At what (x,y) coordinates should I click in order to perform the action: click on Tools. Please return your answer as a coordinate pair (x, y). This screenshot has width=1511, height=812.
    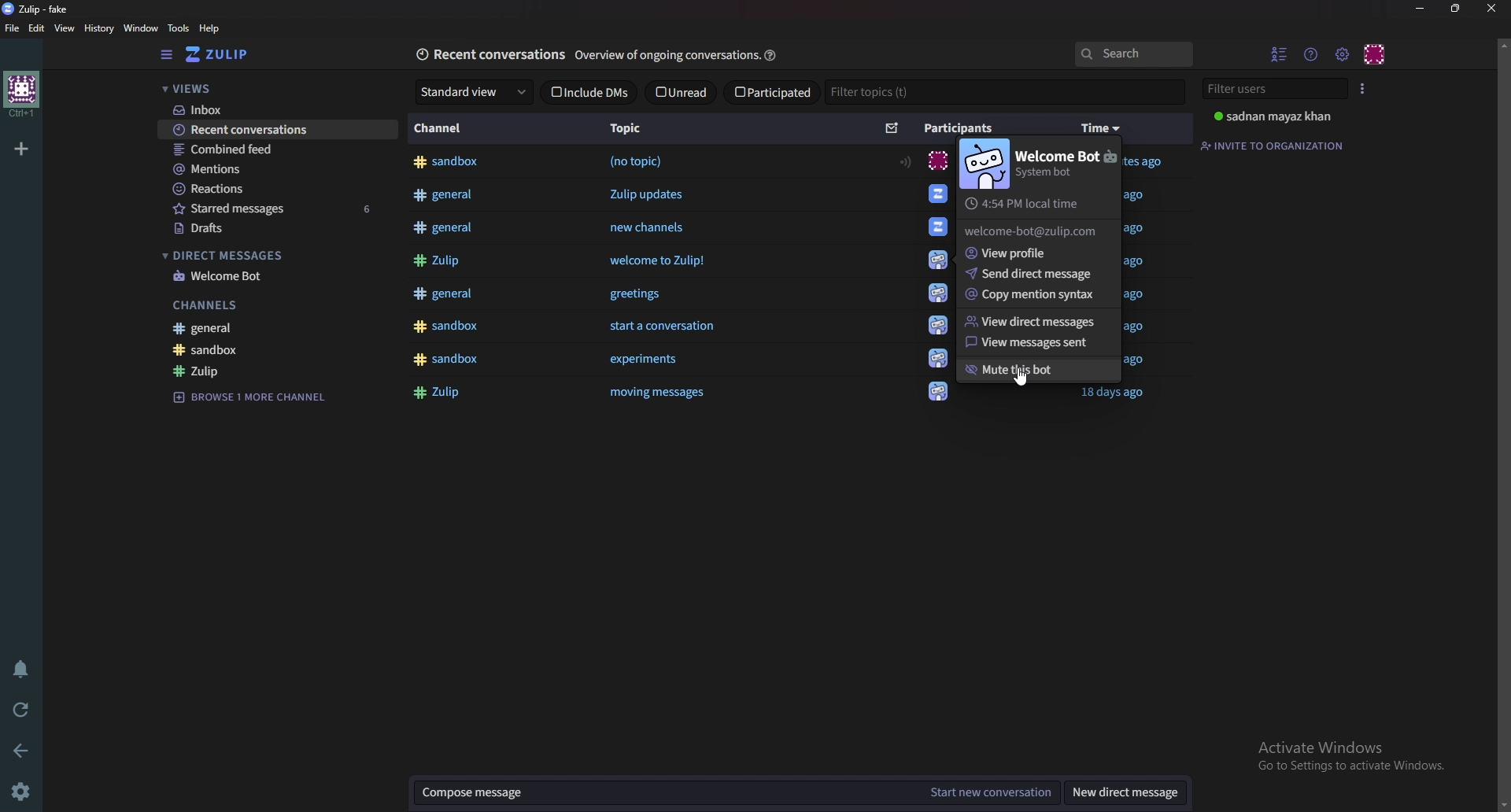
    Looking at the image, I should click on (179, 28).